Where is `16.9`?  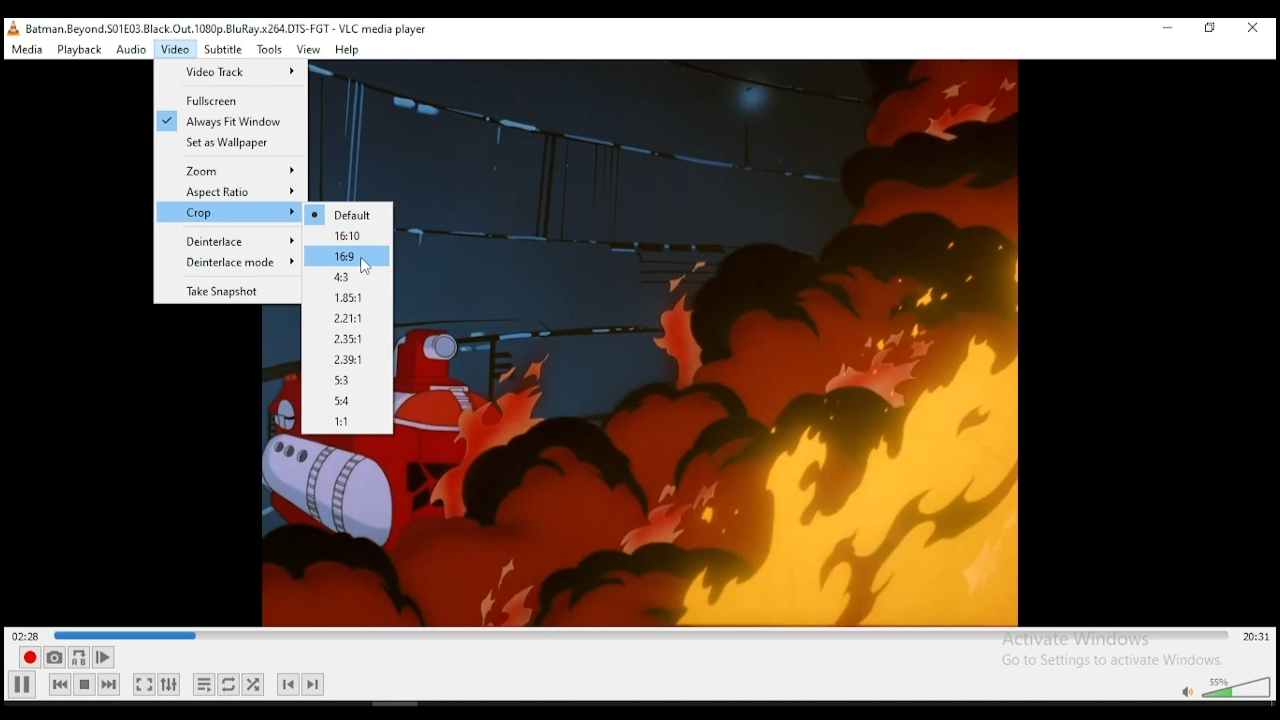
16.9 is located at coordinates (347, 257).